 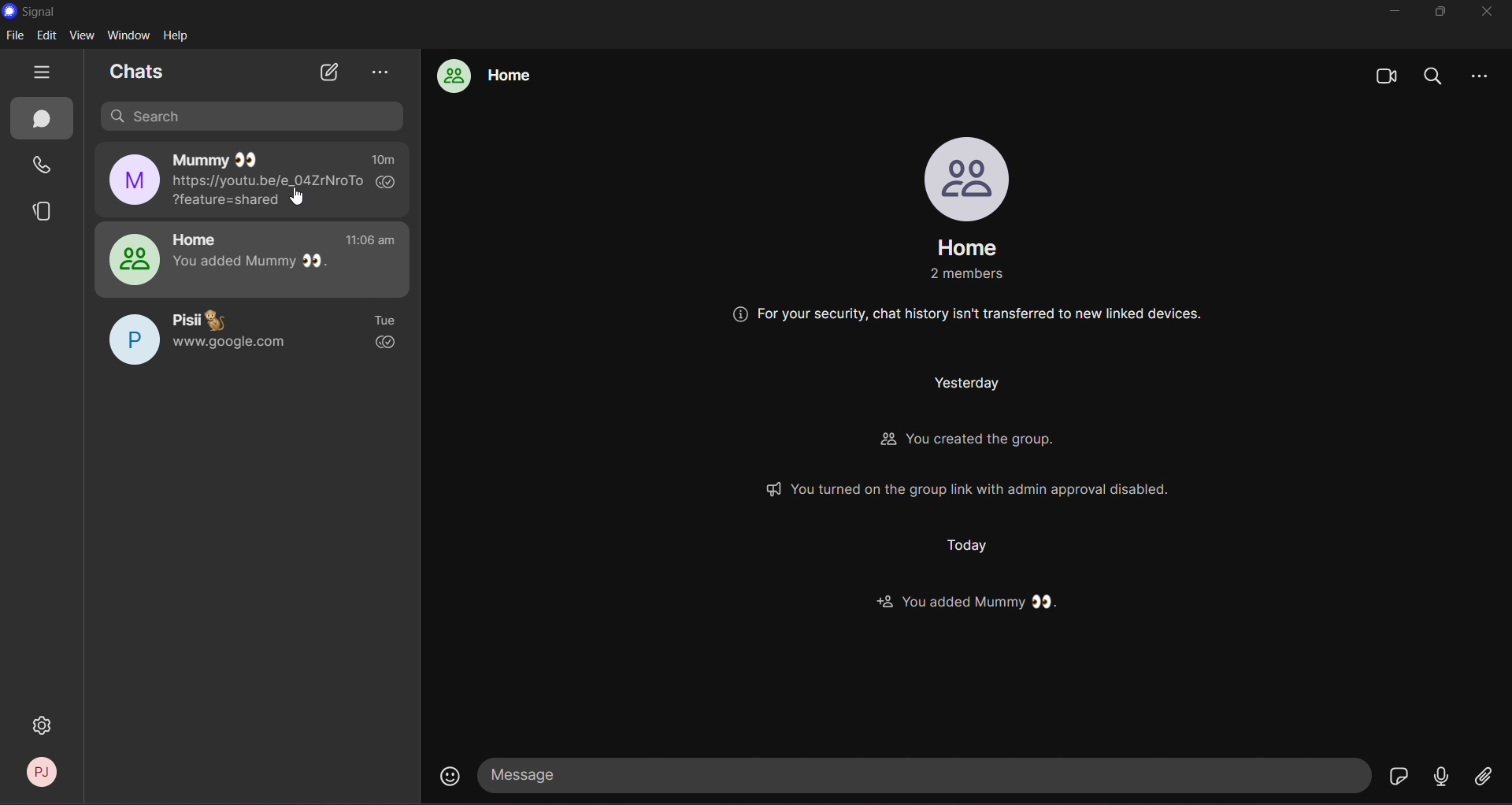 I want to click on for your security, chat history isn't transferred to new linked devices., so click(x=971, y=315).